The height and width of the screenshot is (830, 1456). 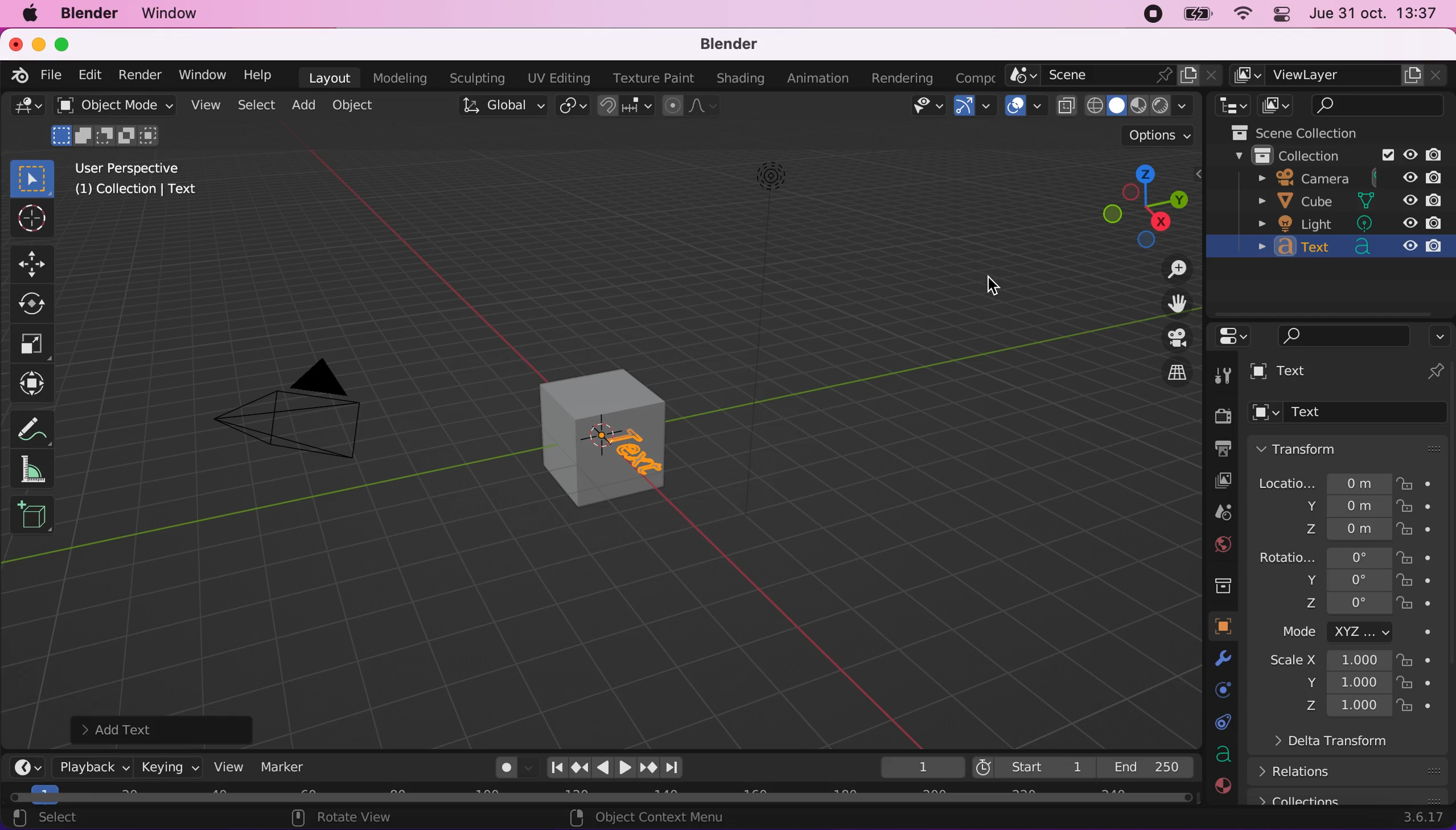 What do you see at coordinates (1340, 707) in the screenshot?
I see `Z 1.000` at bounding box center [1340, 707].